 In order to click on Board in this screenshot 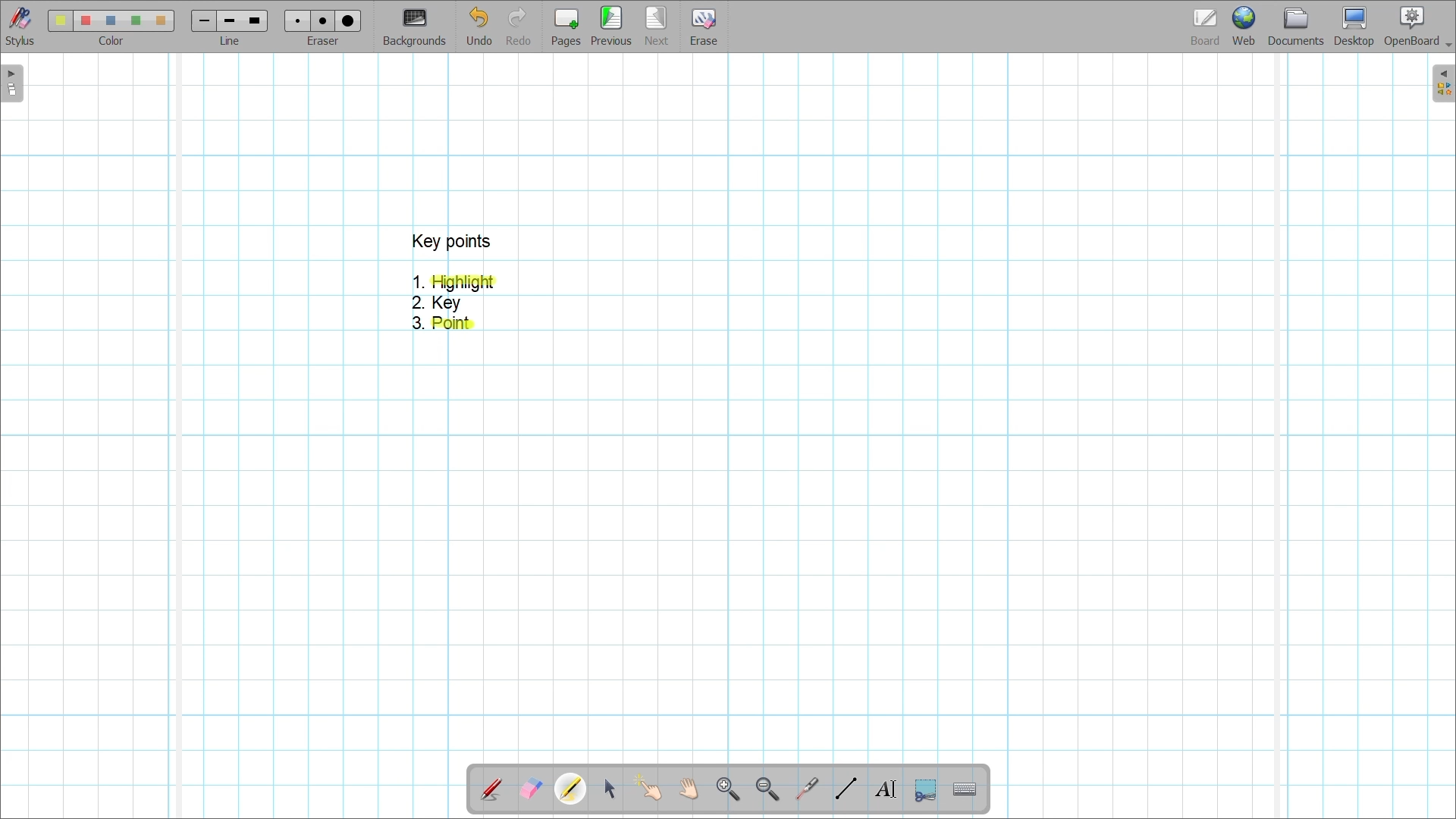, I will do `click(1206, 27)`.